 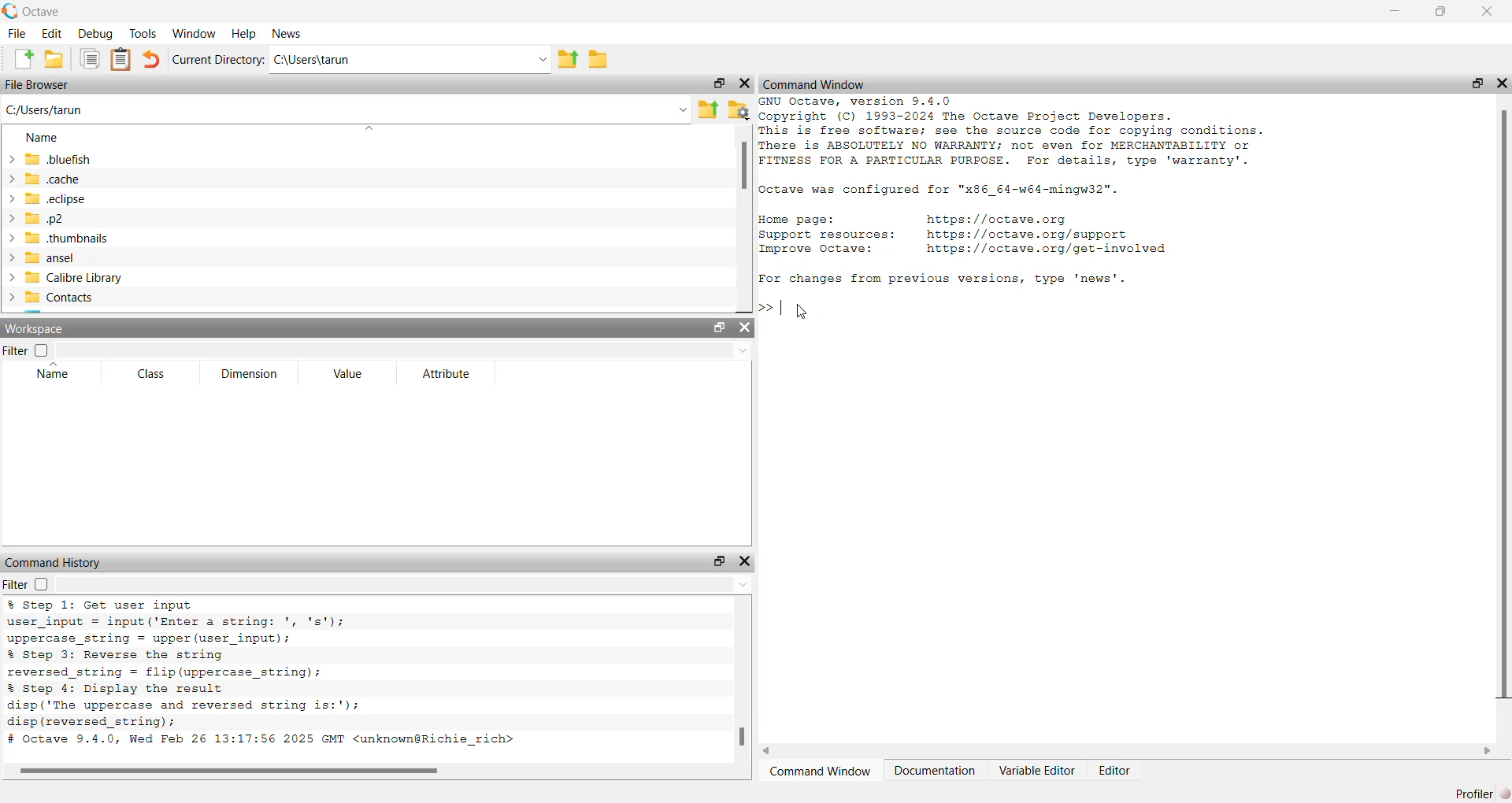 What do you see at coordinates (719, 561) in the screenshot?
I see `unlock widget` at bounding box center [719, 561].